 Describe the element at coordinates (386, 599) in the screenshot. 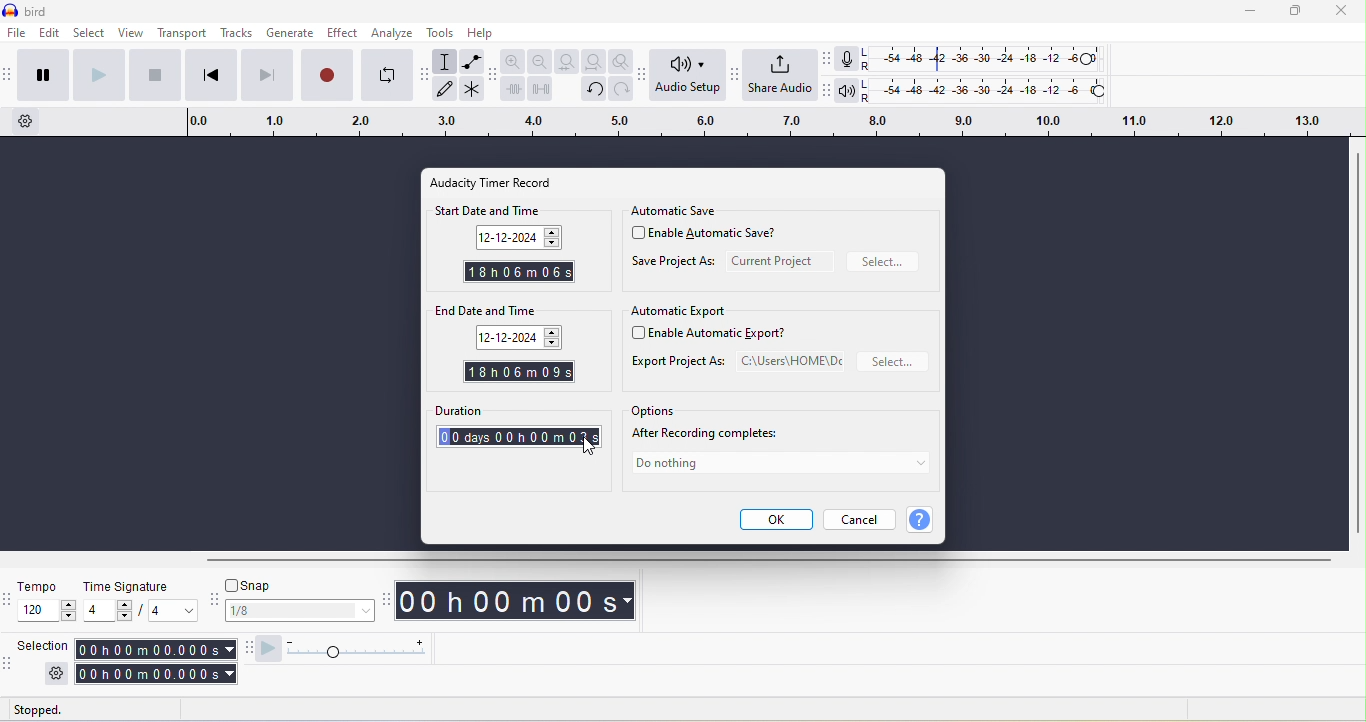

I see `audacity time toolbar` at that location.